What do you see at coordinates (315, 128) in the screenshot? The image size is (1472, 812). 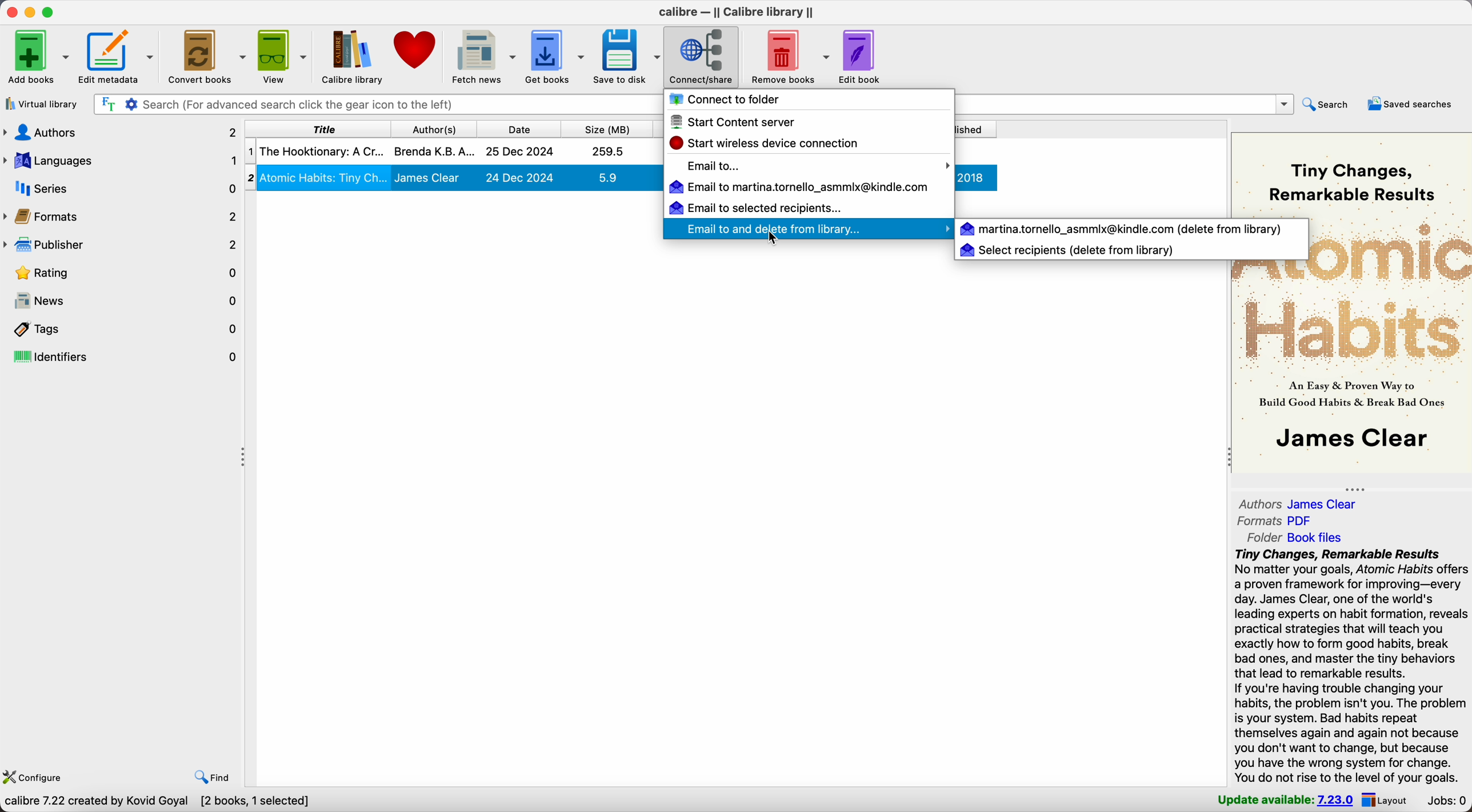 I see `title` at bounding box center [315, 128].